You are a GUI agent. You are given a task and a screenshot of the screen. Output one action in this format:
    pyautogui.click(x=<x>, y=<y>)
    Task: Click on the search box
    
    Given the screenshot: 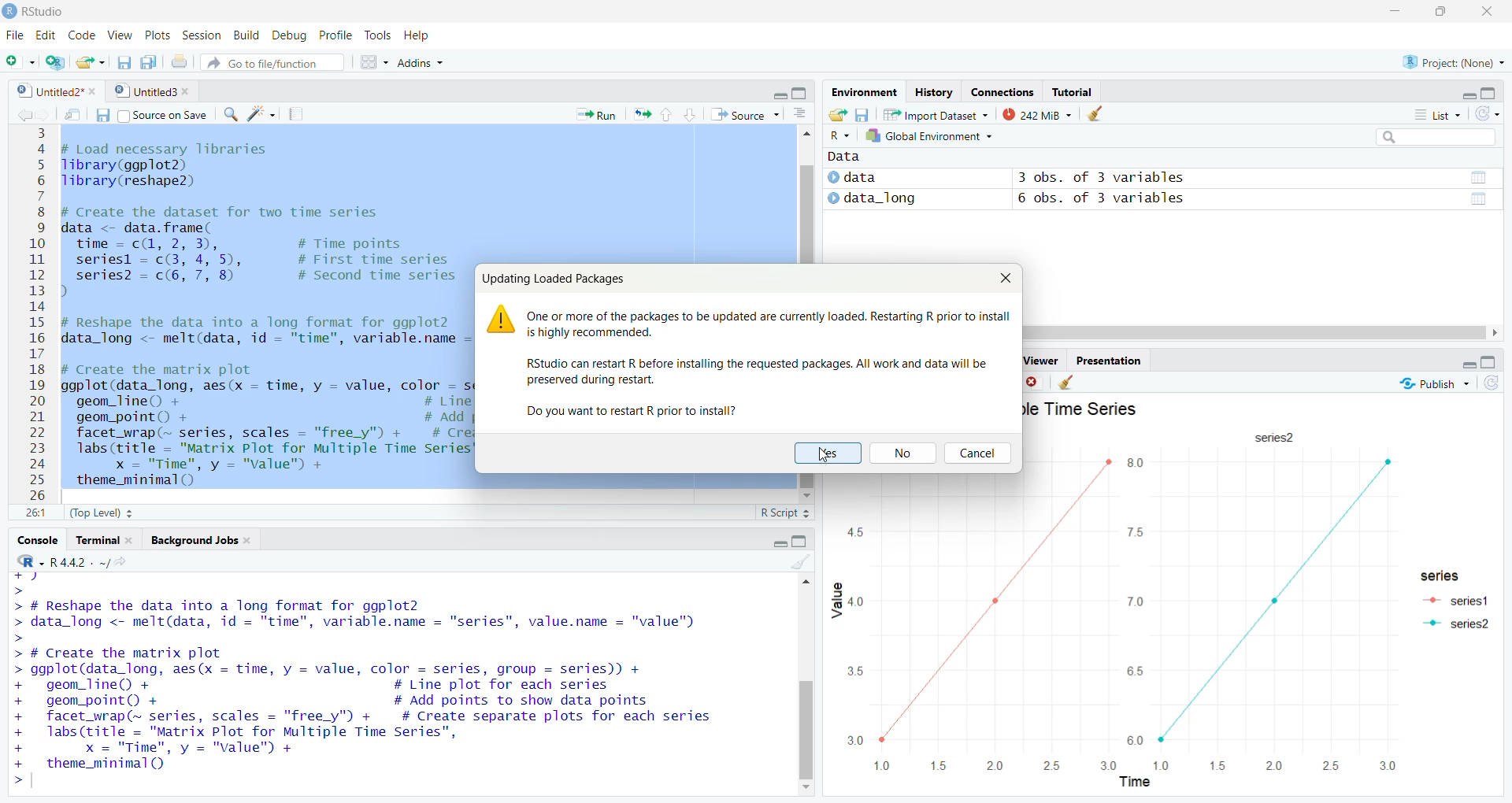 What is the action you would take?
    pyautogui.click(x=1434, y=136)
    